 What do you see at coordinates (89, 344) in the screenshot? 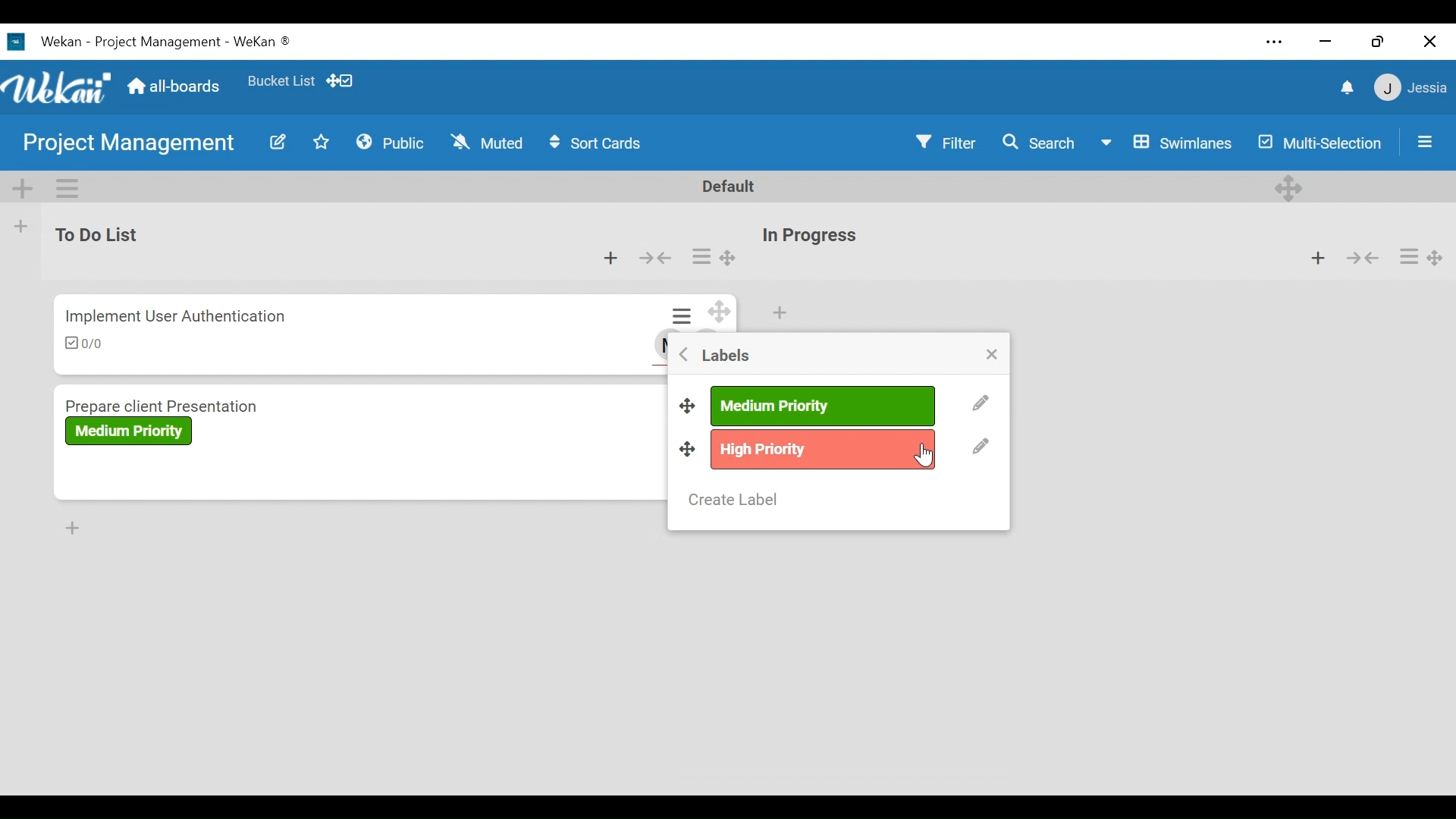
I see `Checklist` at bounding box center [89, 344].